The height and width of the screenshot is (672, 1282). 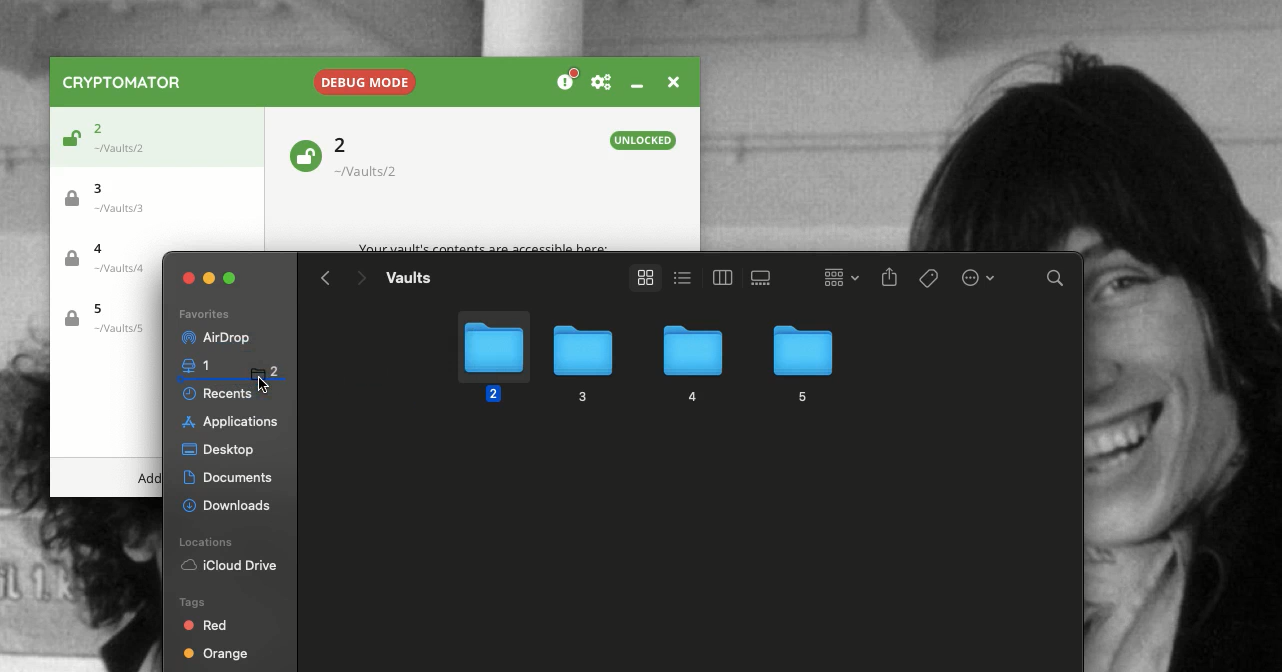 What do you see at coordinates (304, 154) in the screenshot?
I see `Unlocked` at bounding box center [304, 154].